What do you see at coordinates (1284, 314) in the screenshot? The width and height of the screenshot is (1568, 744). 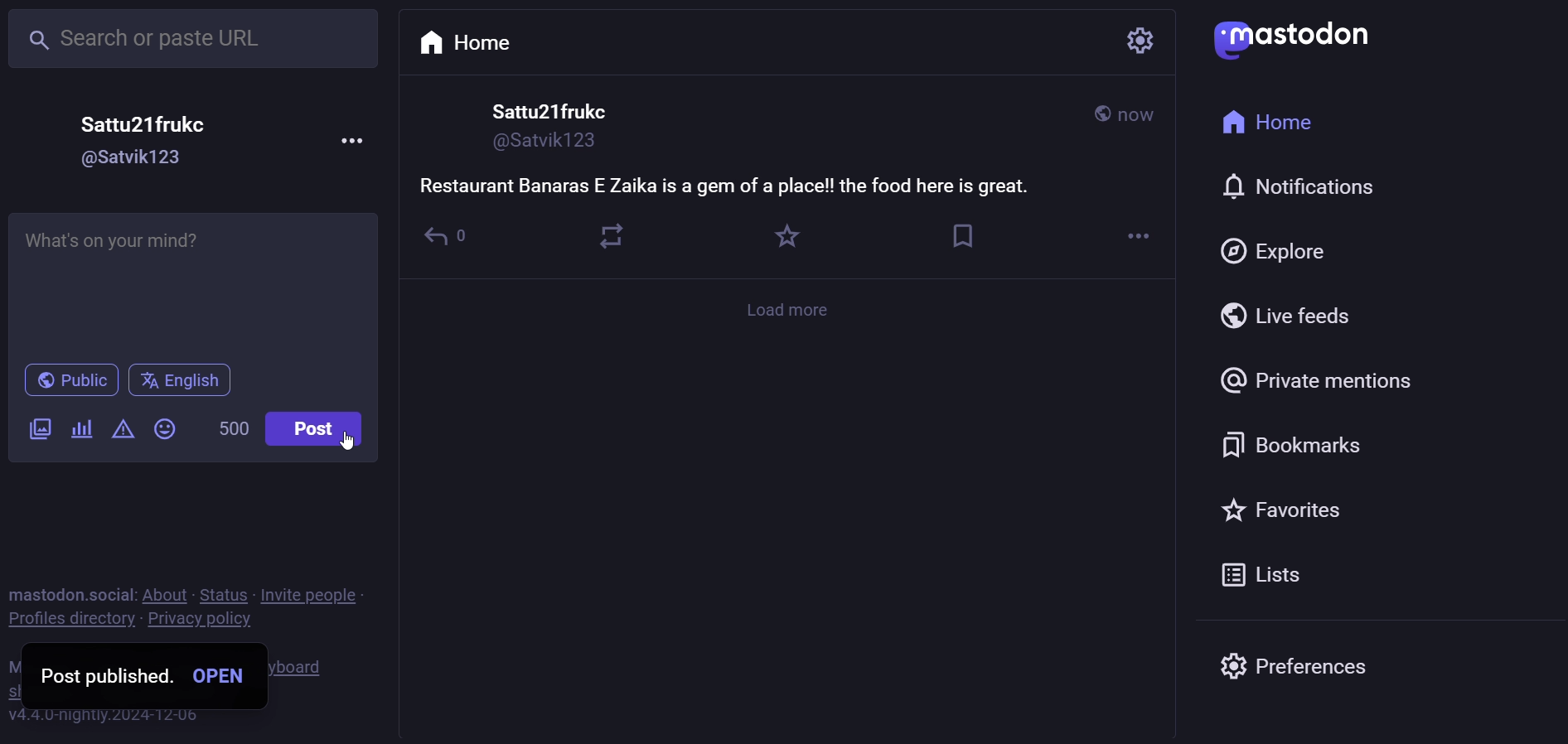 I see `live feed` at bounding box center [1284, 314].